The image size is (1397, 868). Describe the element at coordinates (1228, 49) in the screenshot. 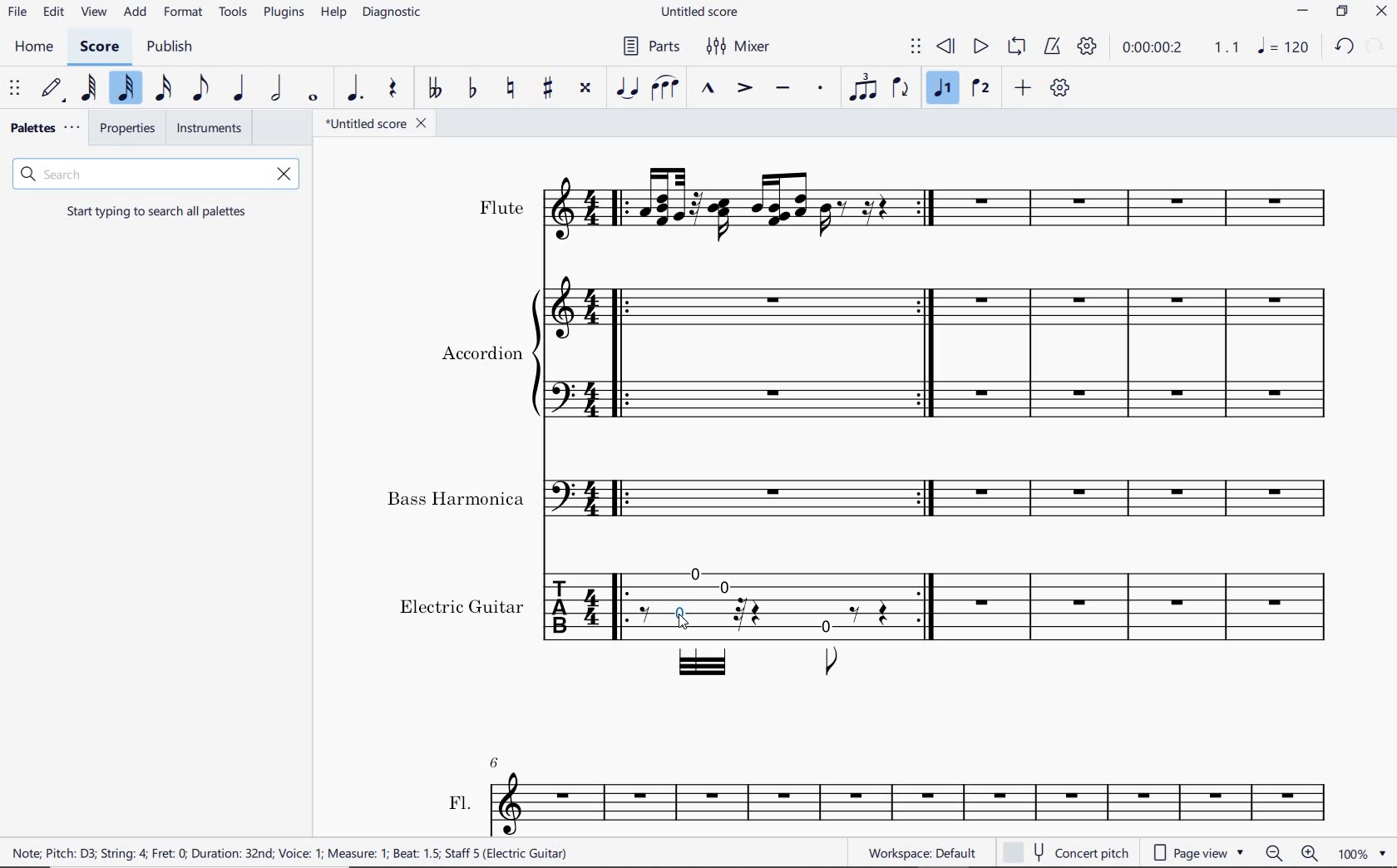

I see `Playback speed` at that location.